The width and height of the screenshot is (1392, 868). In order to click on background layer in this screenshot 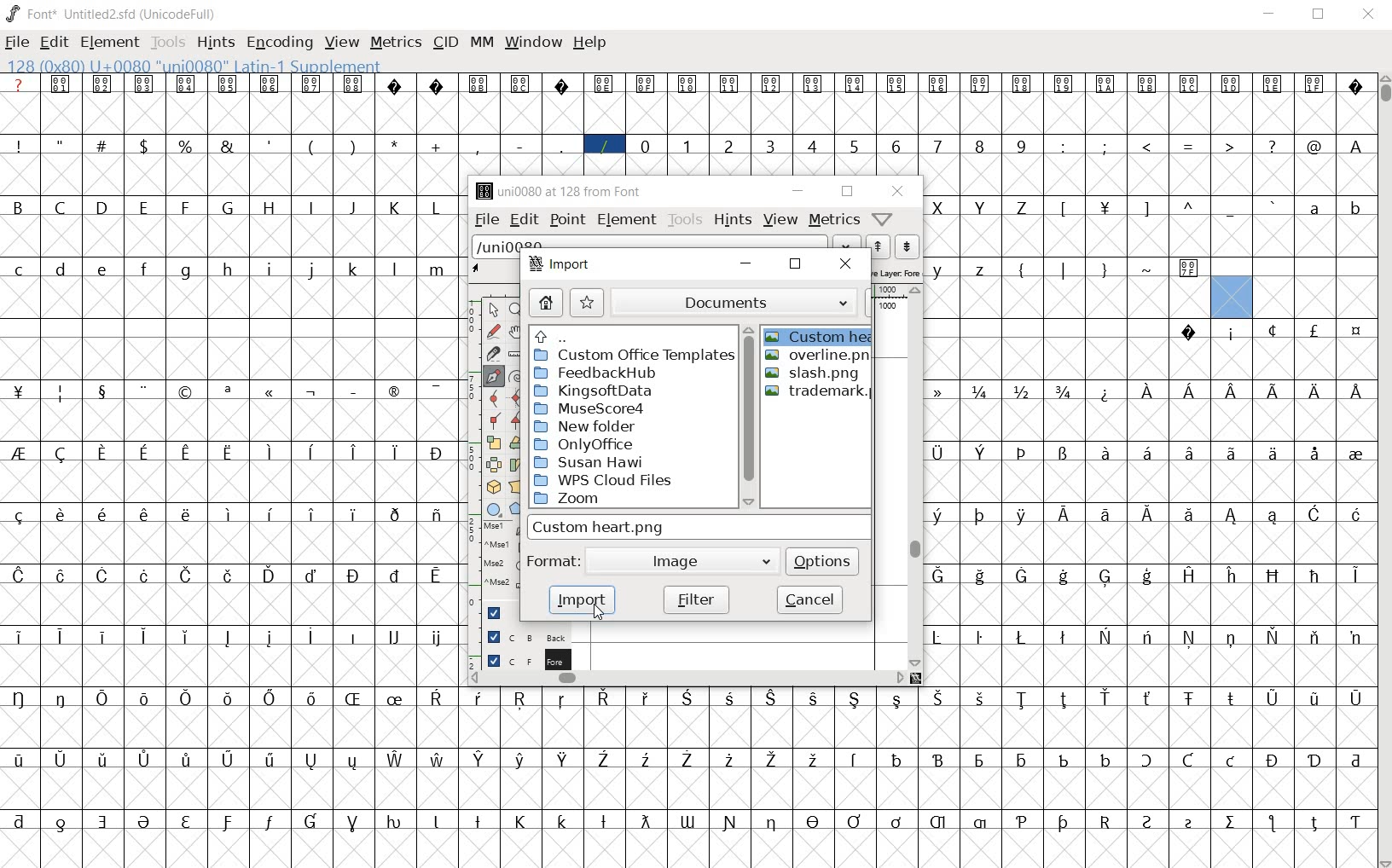, I will do `click(519, 636)`.